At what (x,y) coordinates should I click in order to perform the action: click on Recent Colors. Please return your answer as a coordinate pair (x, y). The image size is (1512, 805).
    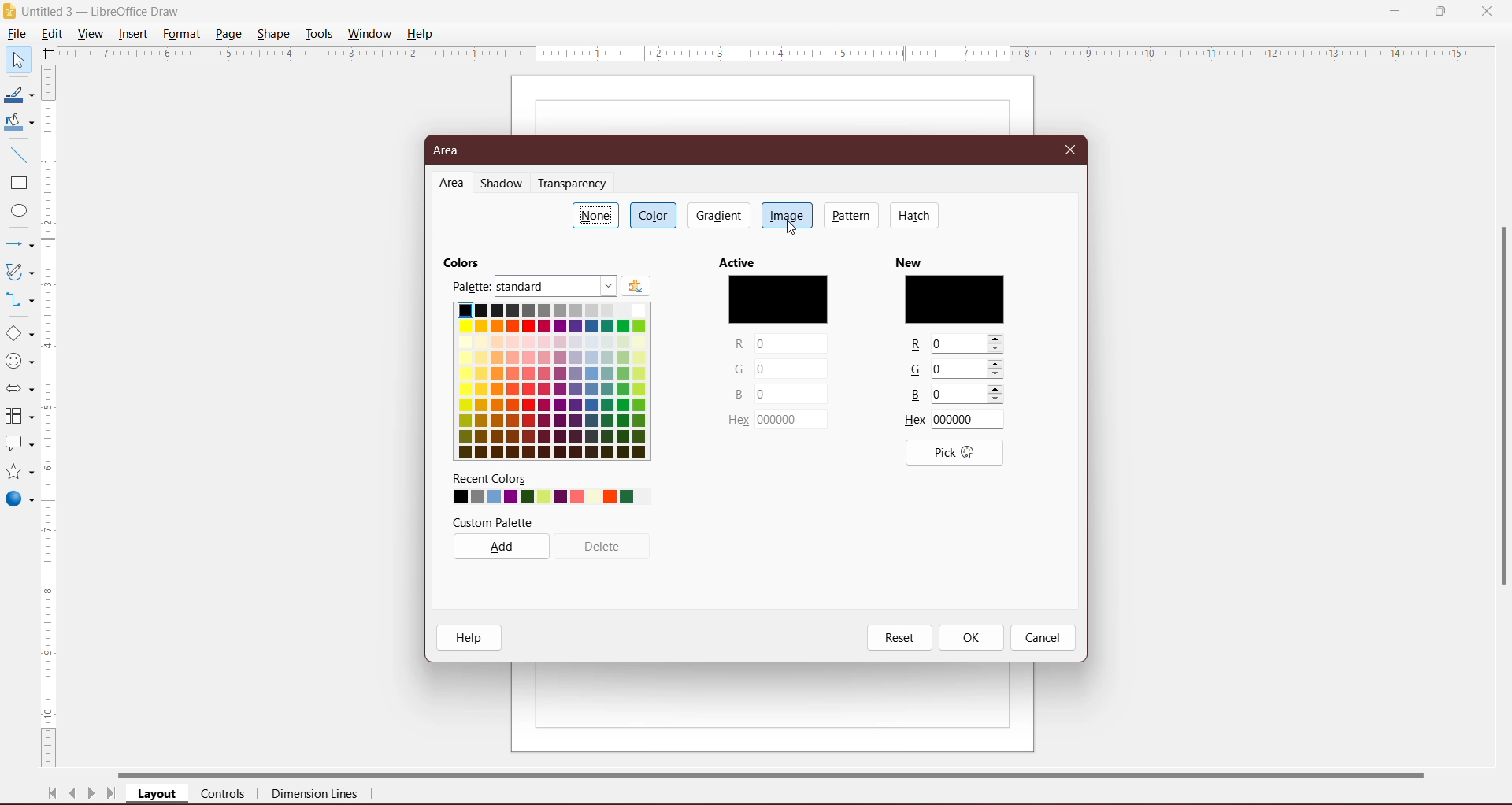
    Looking at the image, I should click on (545, 478).